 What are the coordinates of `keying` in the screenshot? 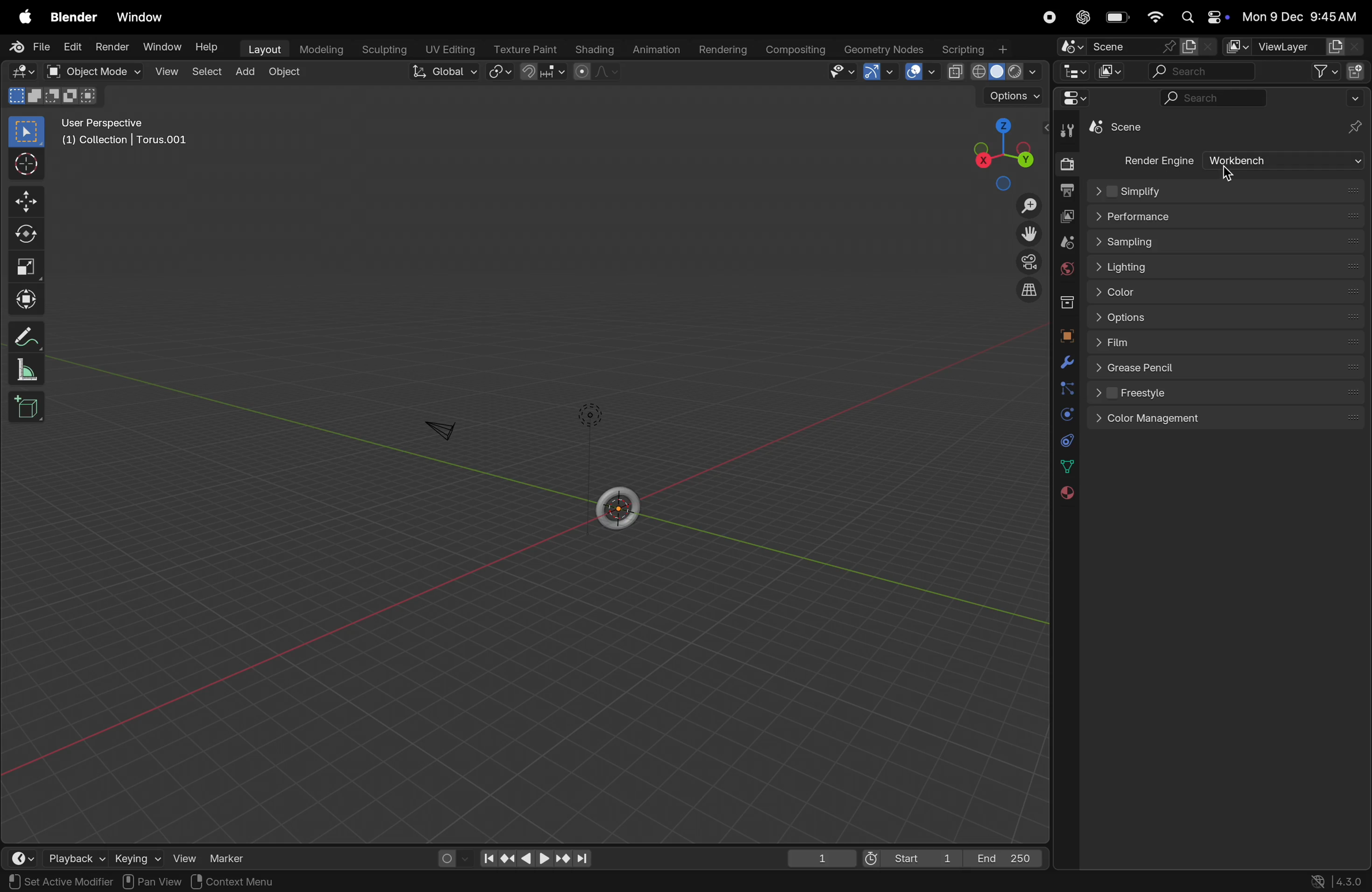 It's located at (138, 859).